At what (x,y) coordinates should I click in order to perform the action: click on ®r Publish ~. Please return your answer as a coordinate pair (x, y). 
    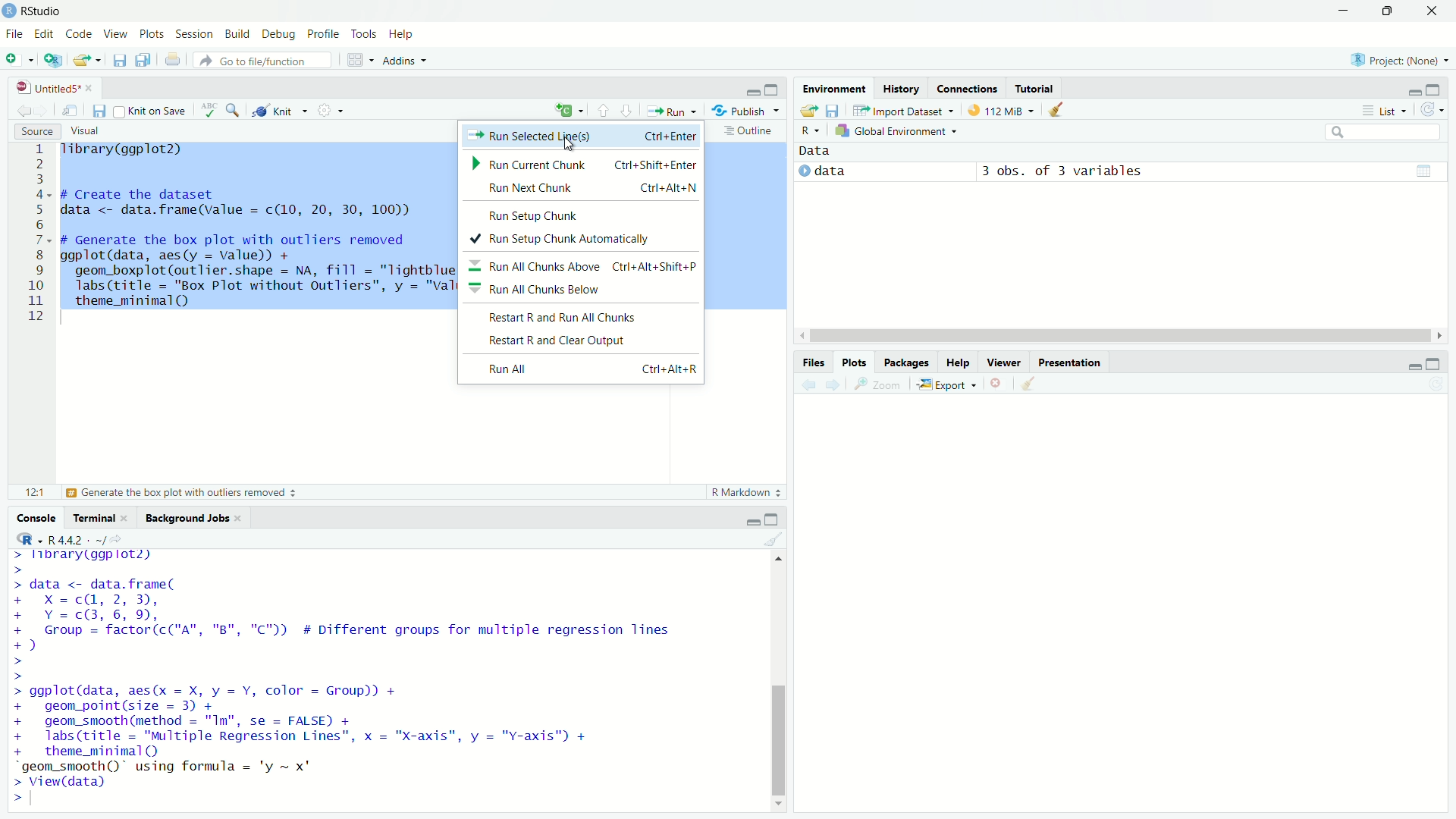
    Looking at the image, I should click on (748, 111).